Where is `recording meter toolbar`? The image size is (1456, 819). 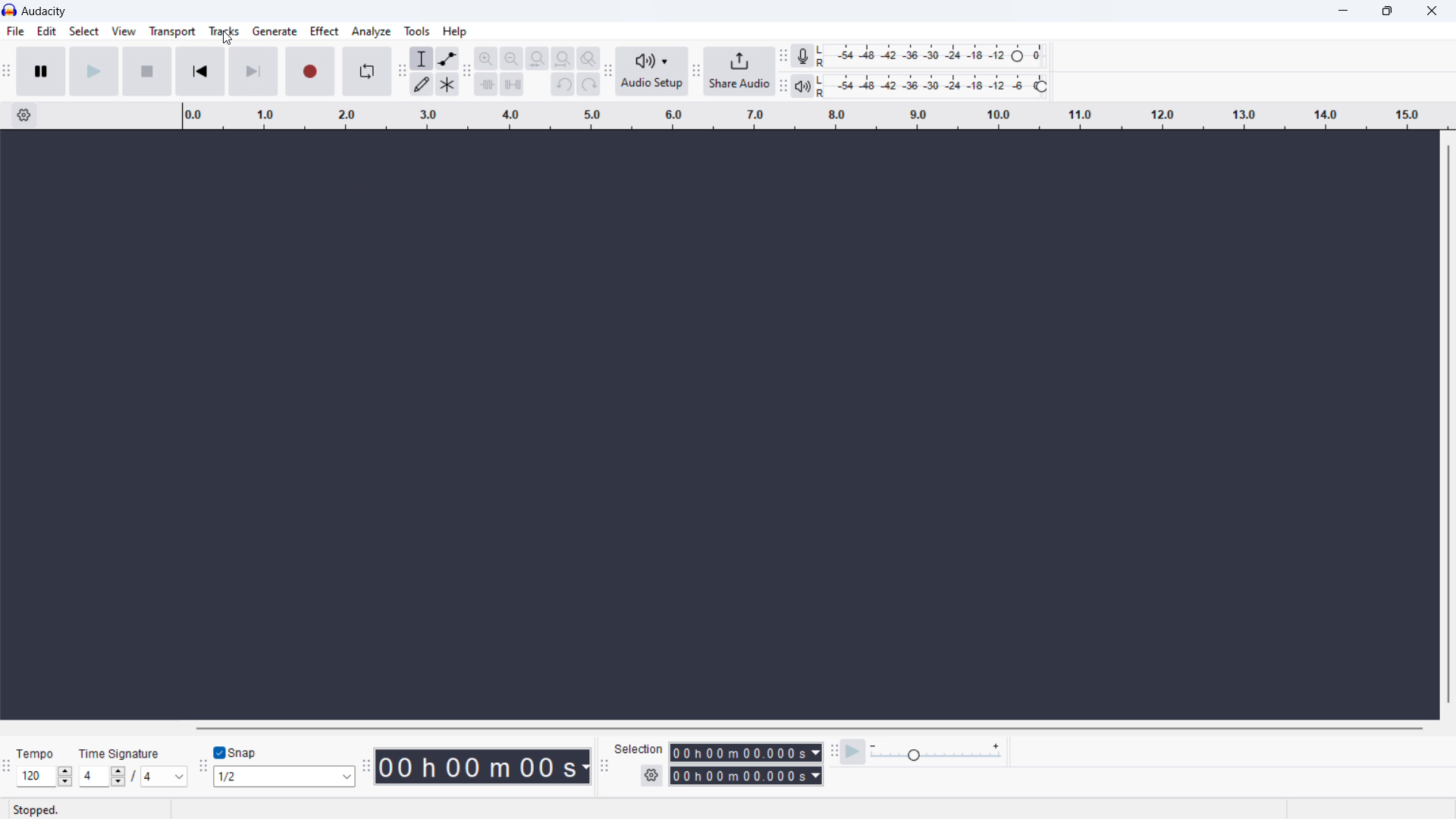 recording meter toolbar is located at coordinates (783, 56).